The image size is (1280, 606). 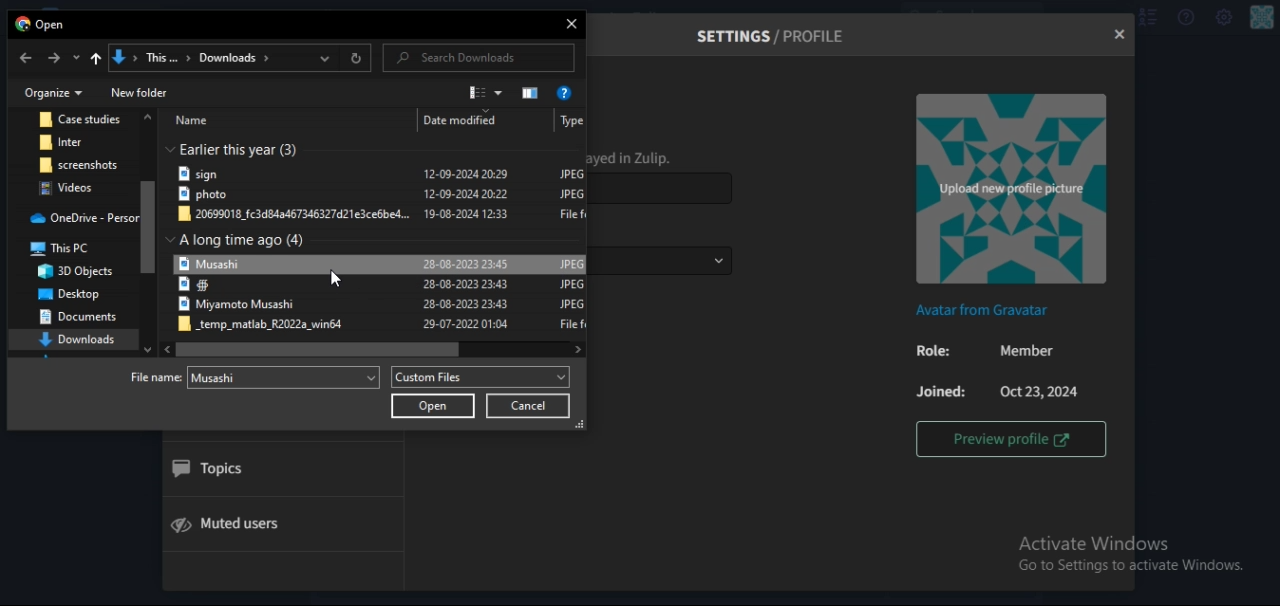 What do you see at coordinates (996, 353) in the screenshot?
I see `Role : Member` at bounding box center [996, 353].